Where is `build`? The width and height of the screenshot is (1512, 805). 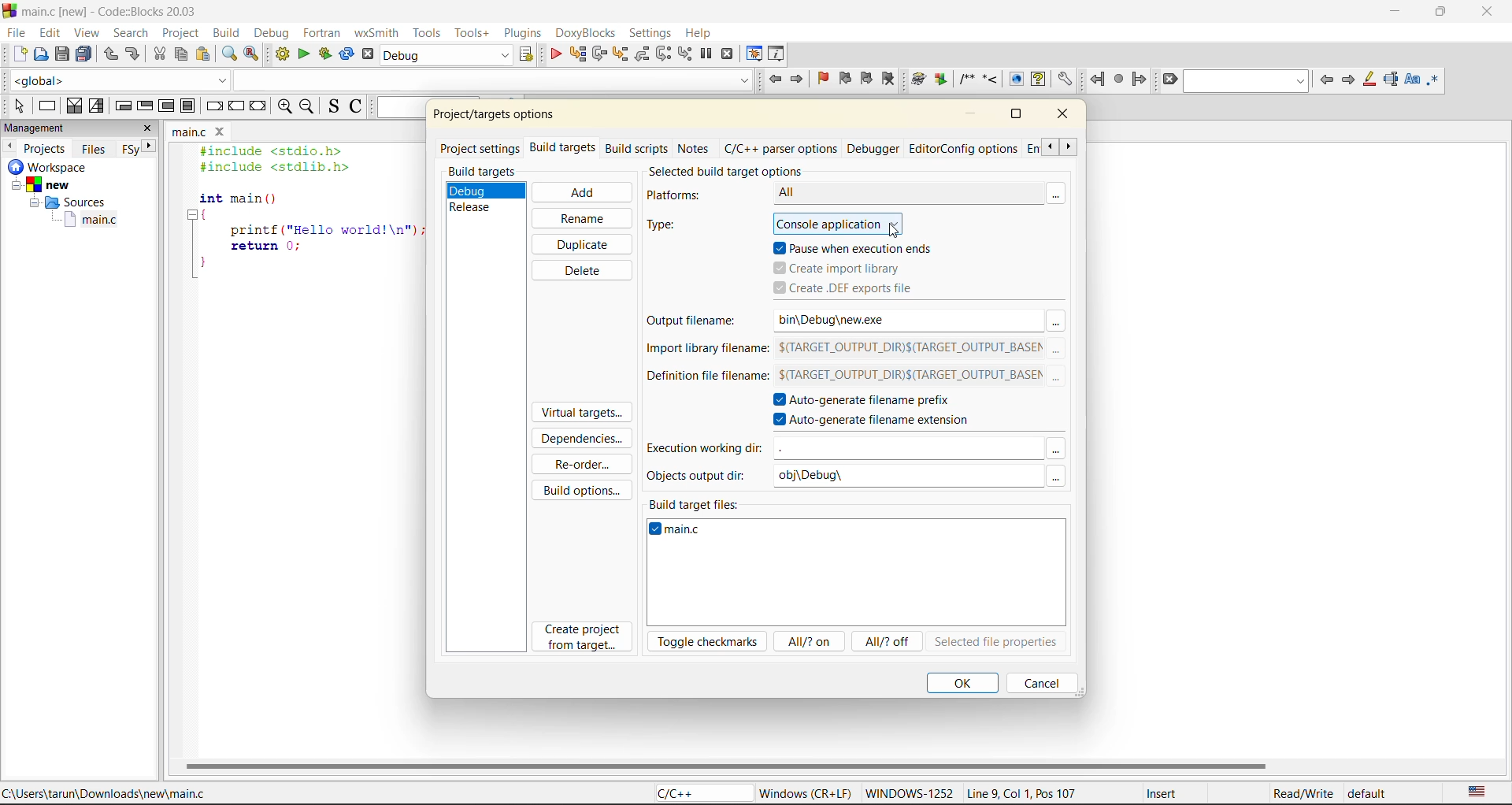
build is located at coordinates (229, 31).